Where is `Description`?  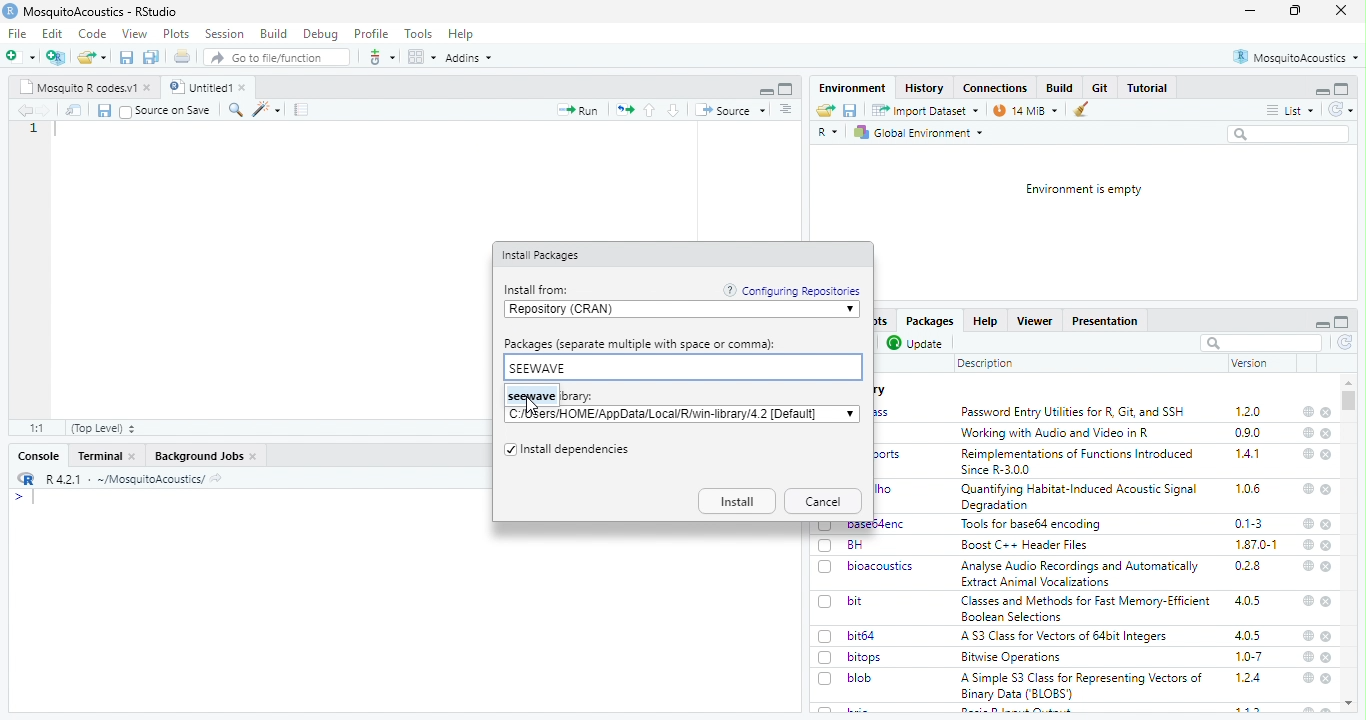
Description is located at coordinates (986, 365).